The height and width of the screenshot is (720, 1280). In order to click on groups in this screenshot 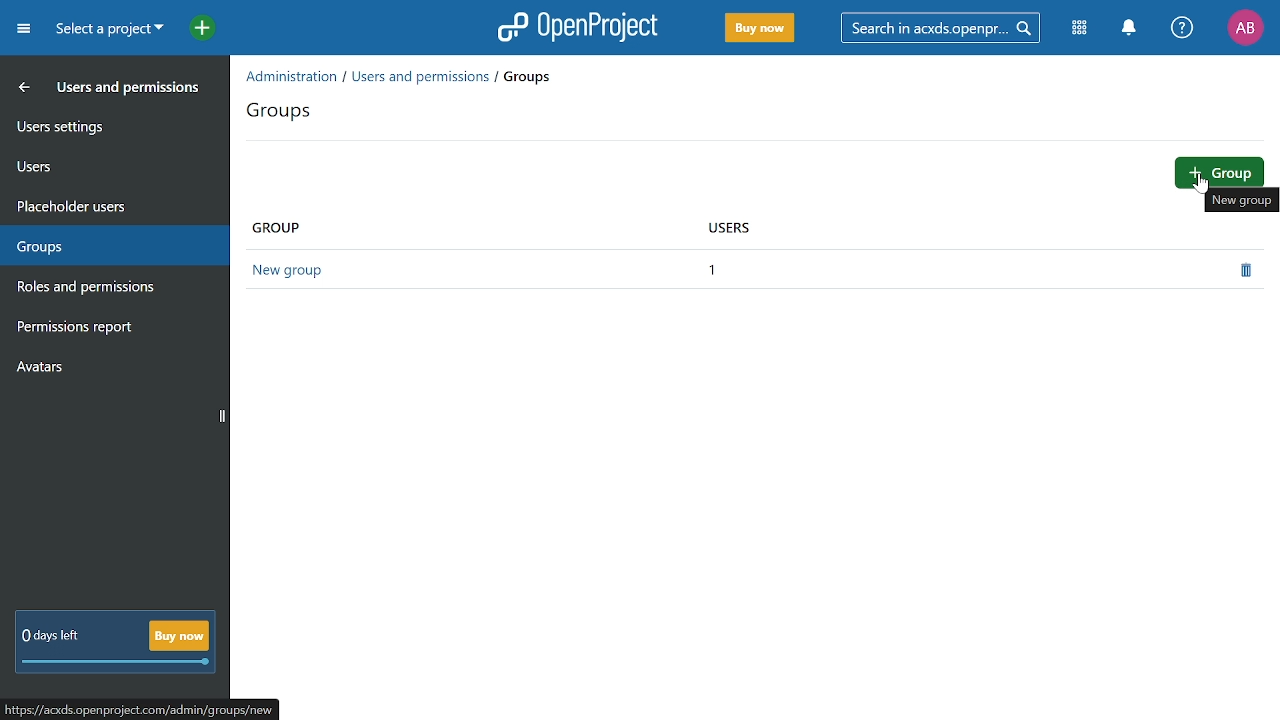, I will do `click(107, 247)`.